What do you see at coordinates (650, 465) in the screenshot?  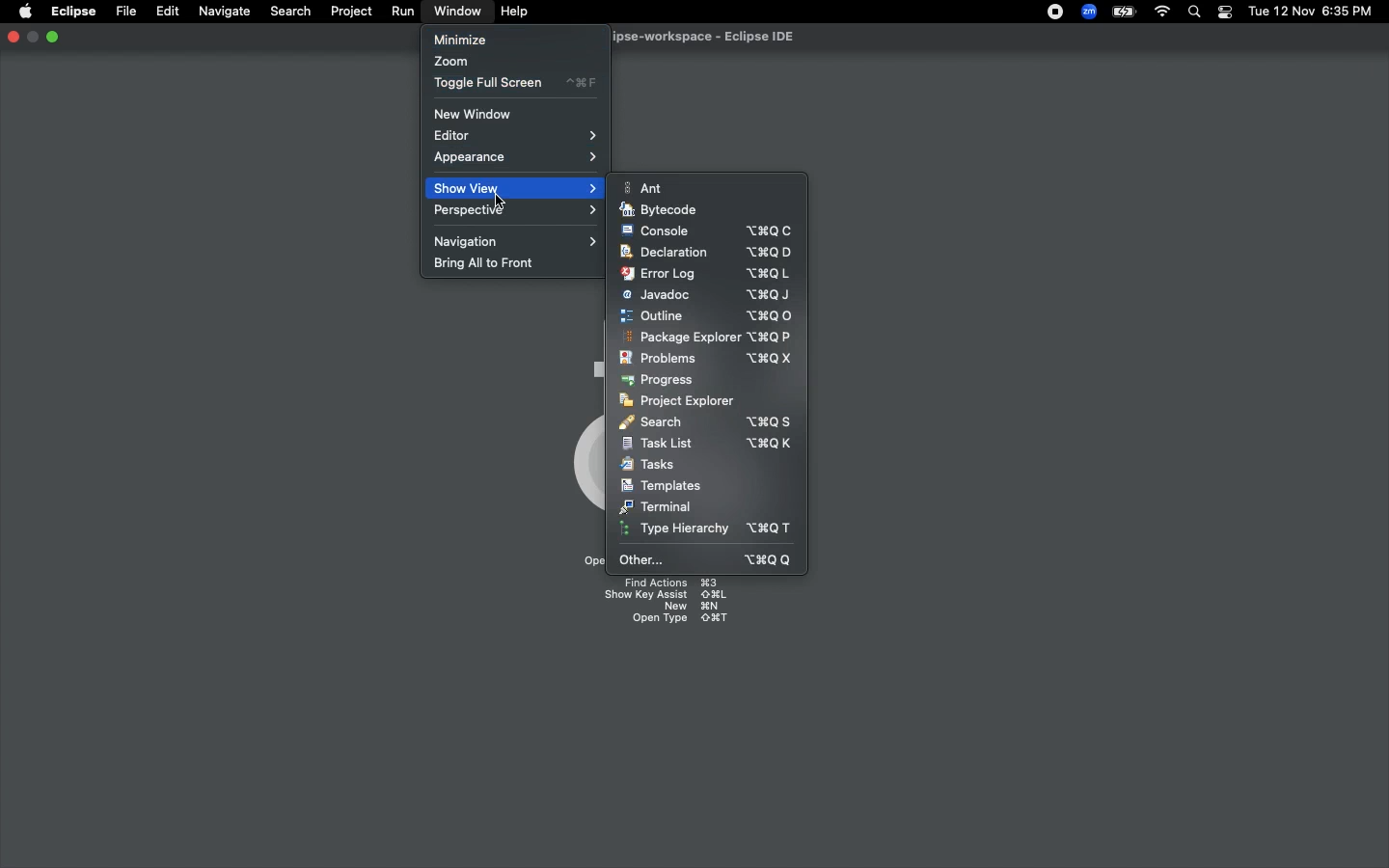 I see `Tasks` at bounding box center [650, 465].